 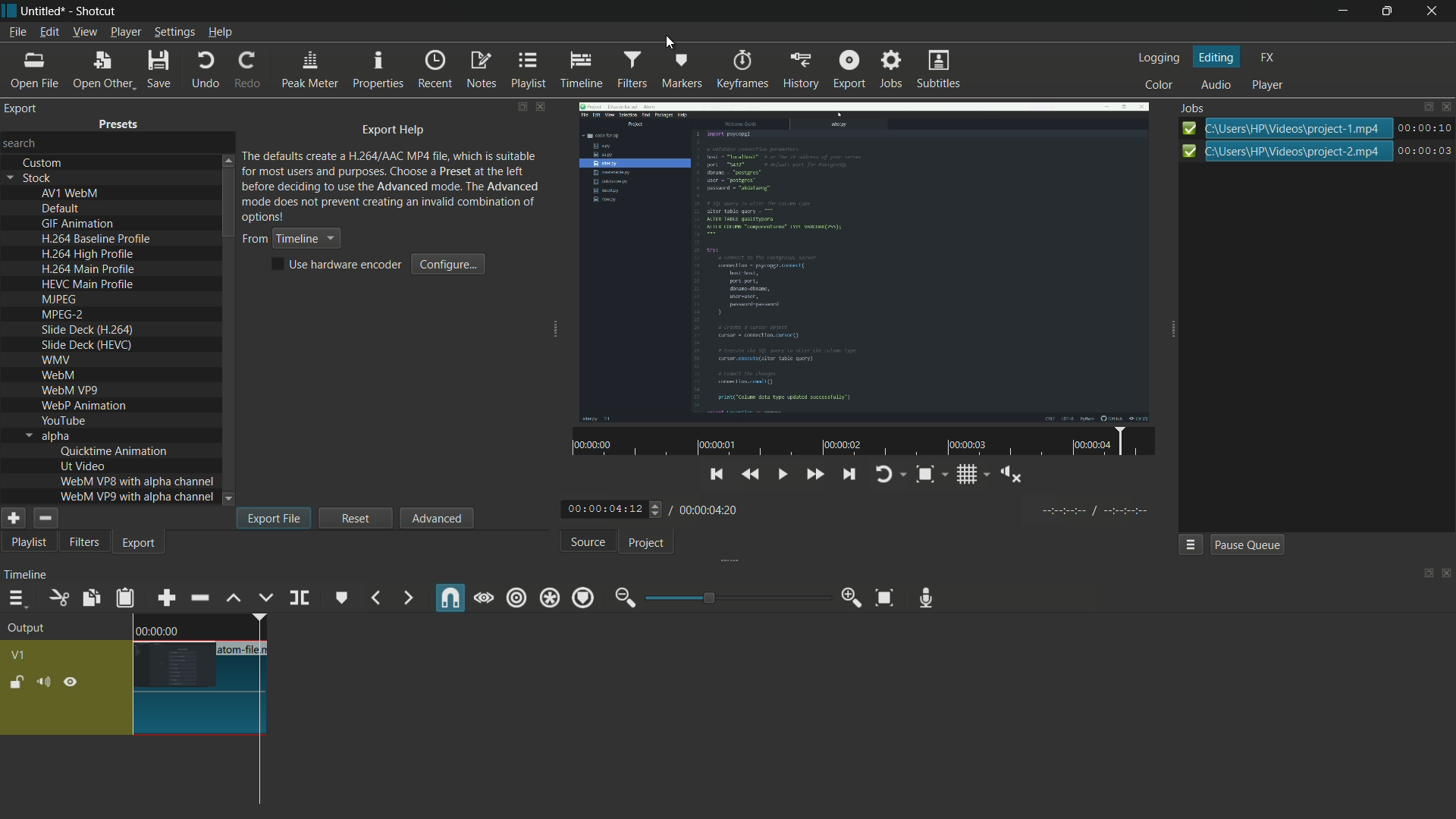 What do you see at coordinates (234, 599) in the screenshot?
I see `lift` at bounding box center [234, 599].